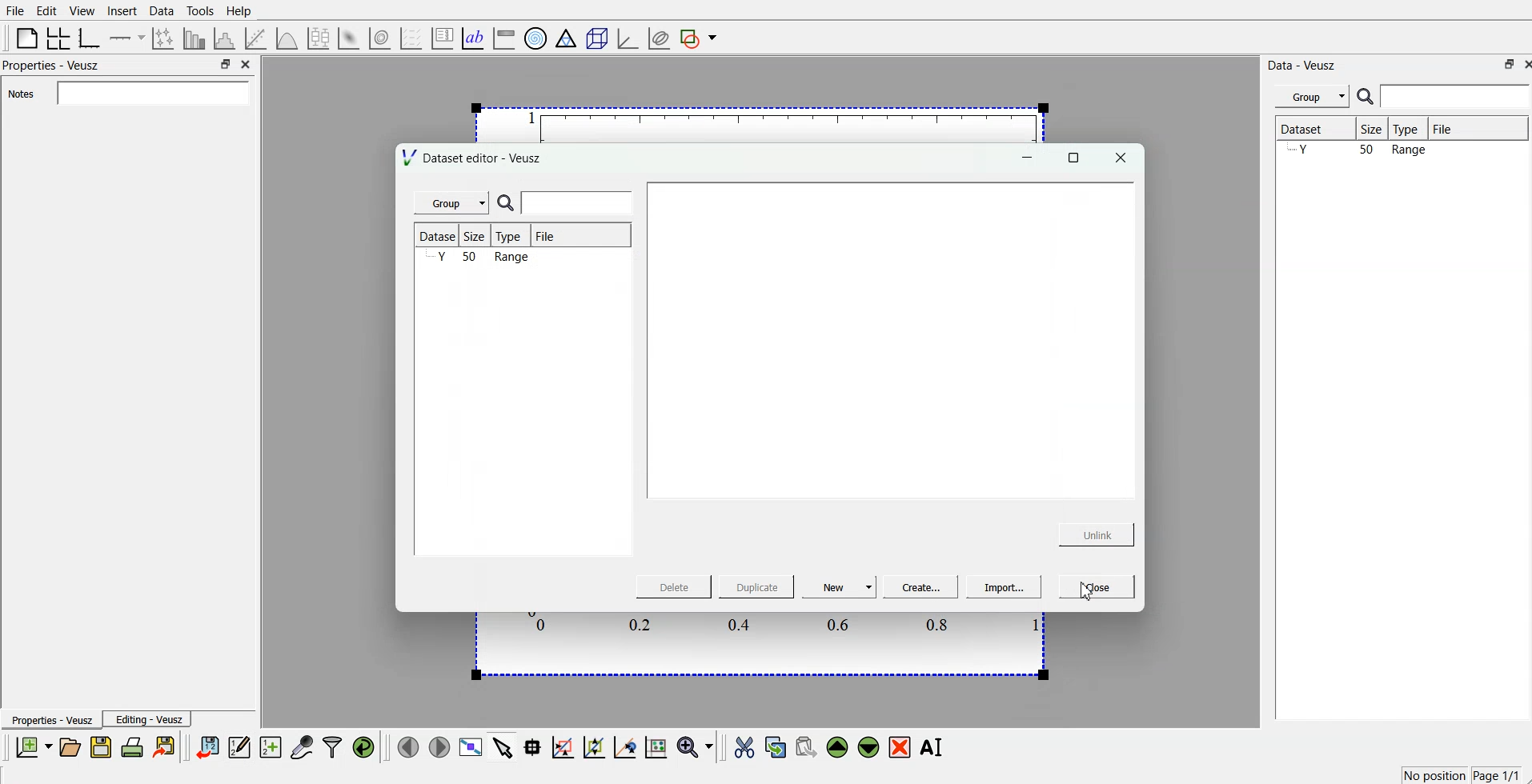 The image size is (1532, 784). I want to click on 3d scenes, so click(595, 35).